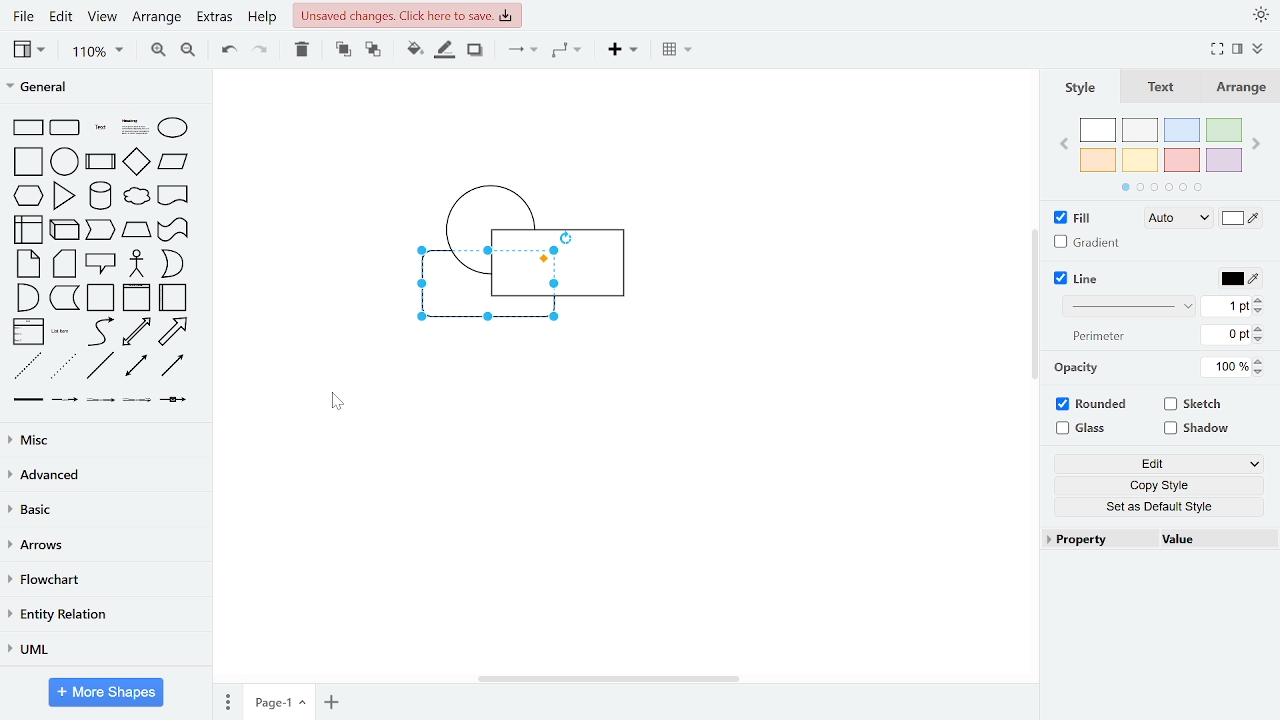 The image size is (1280, 720). What do you see at coordinates (414, 51) in the screenshot?
I see `fill color` at bounding box center [414, 51].